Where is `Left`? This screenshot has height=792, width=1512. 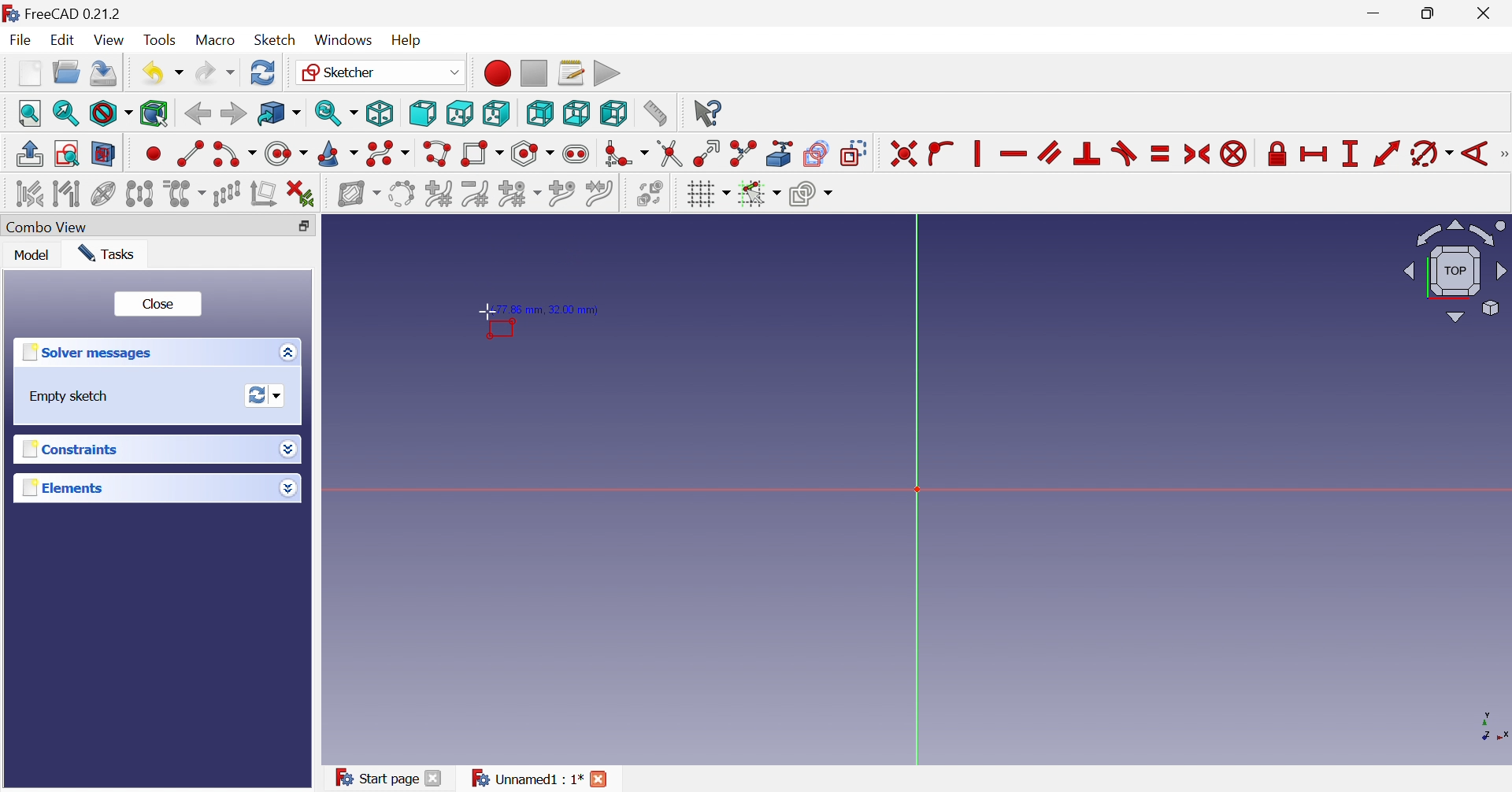
Left is located at coordinates (613, 113).